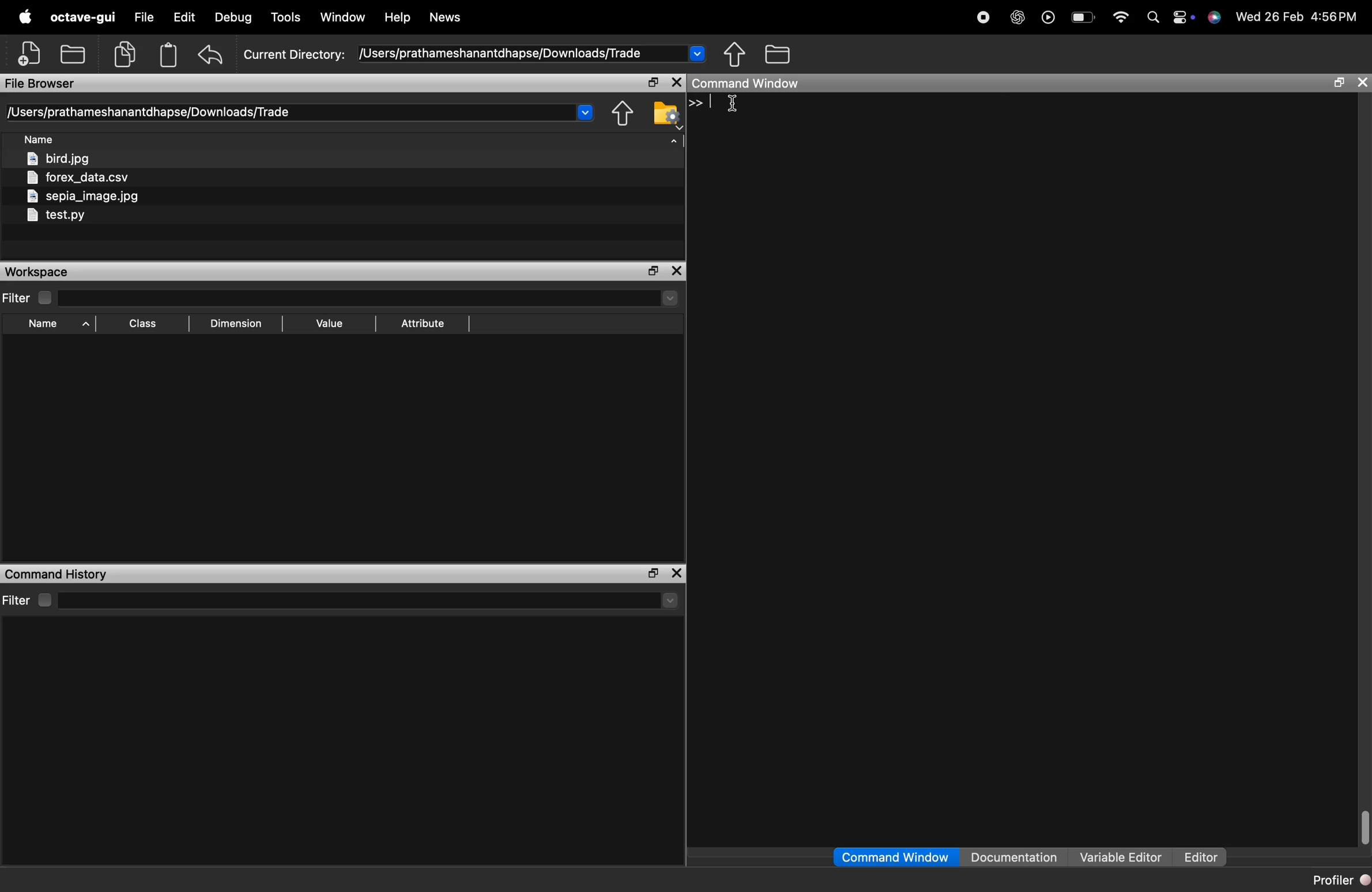 The width and height of the screenshot is (1372, 892). I want to click on drop-down , so click(669, 600).